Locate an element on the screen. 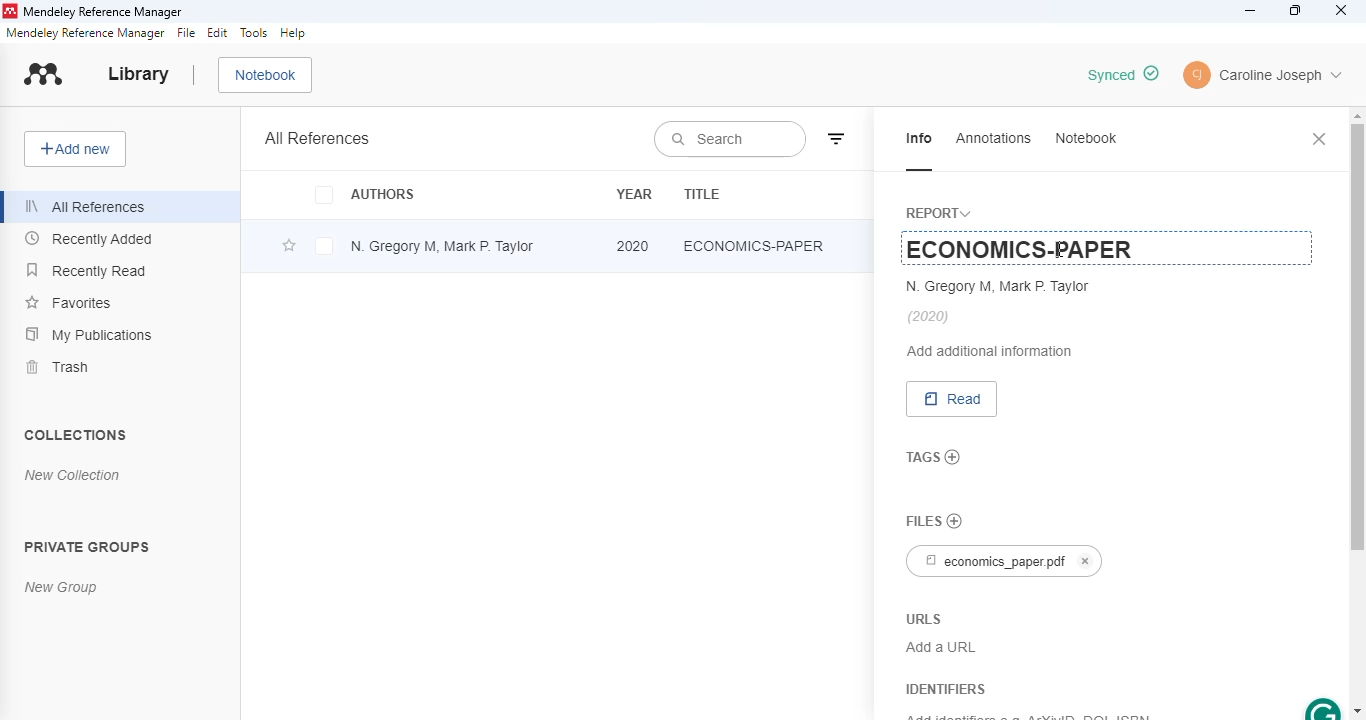  file is located at coordinates (186, 33).